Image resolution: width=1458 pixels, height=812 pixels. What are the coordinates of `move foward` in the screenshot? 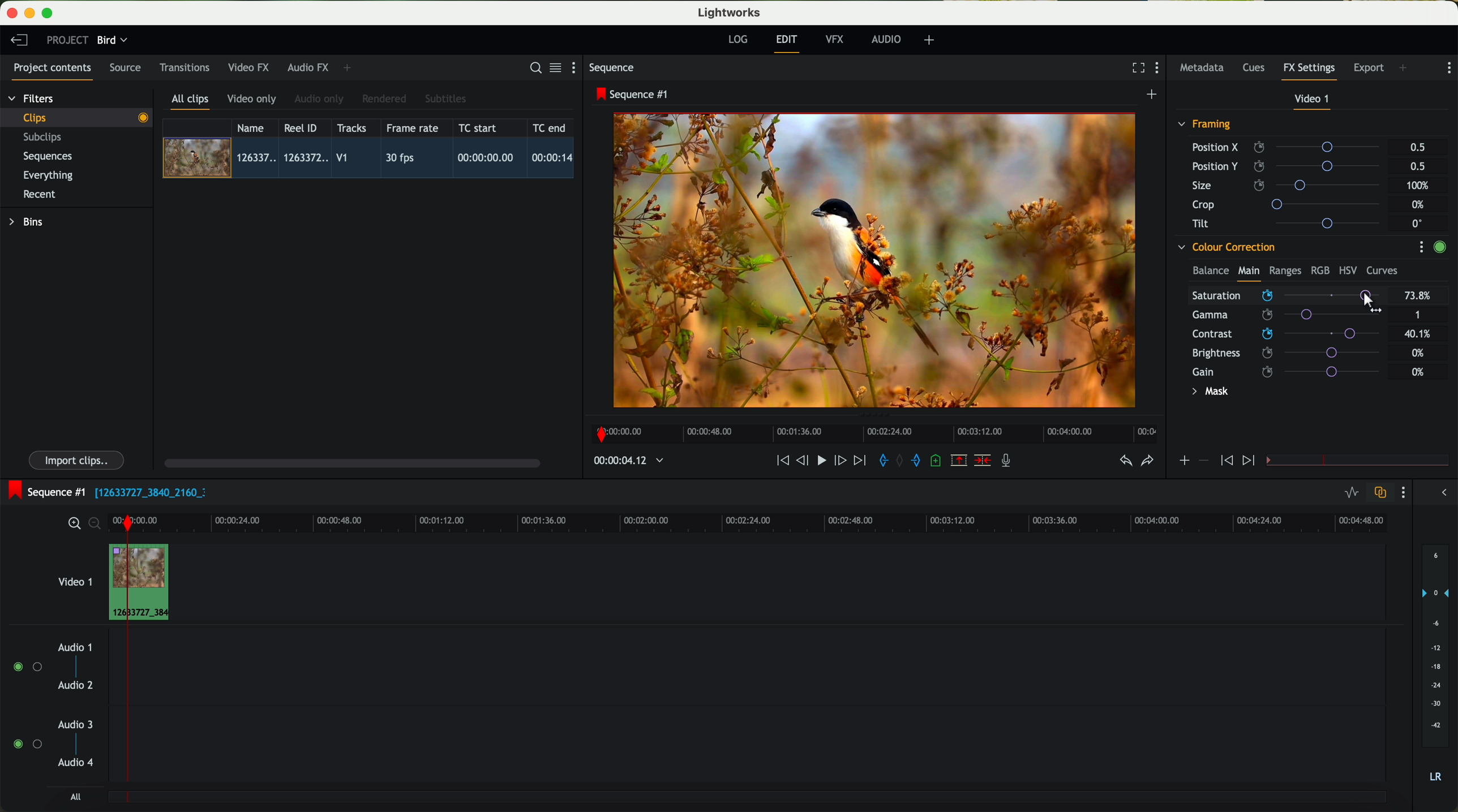 It's located at (859, 461).